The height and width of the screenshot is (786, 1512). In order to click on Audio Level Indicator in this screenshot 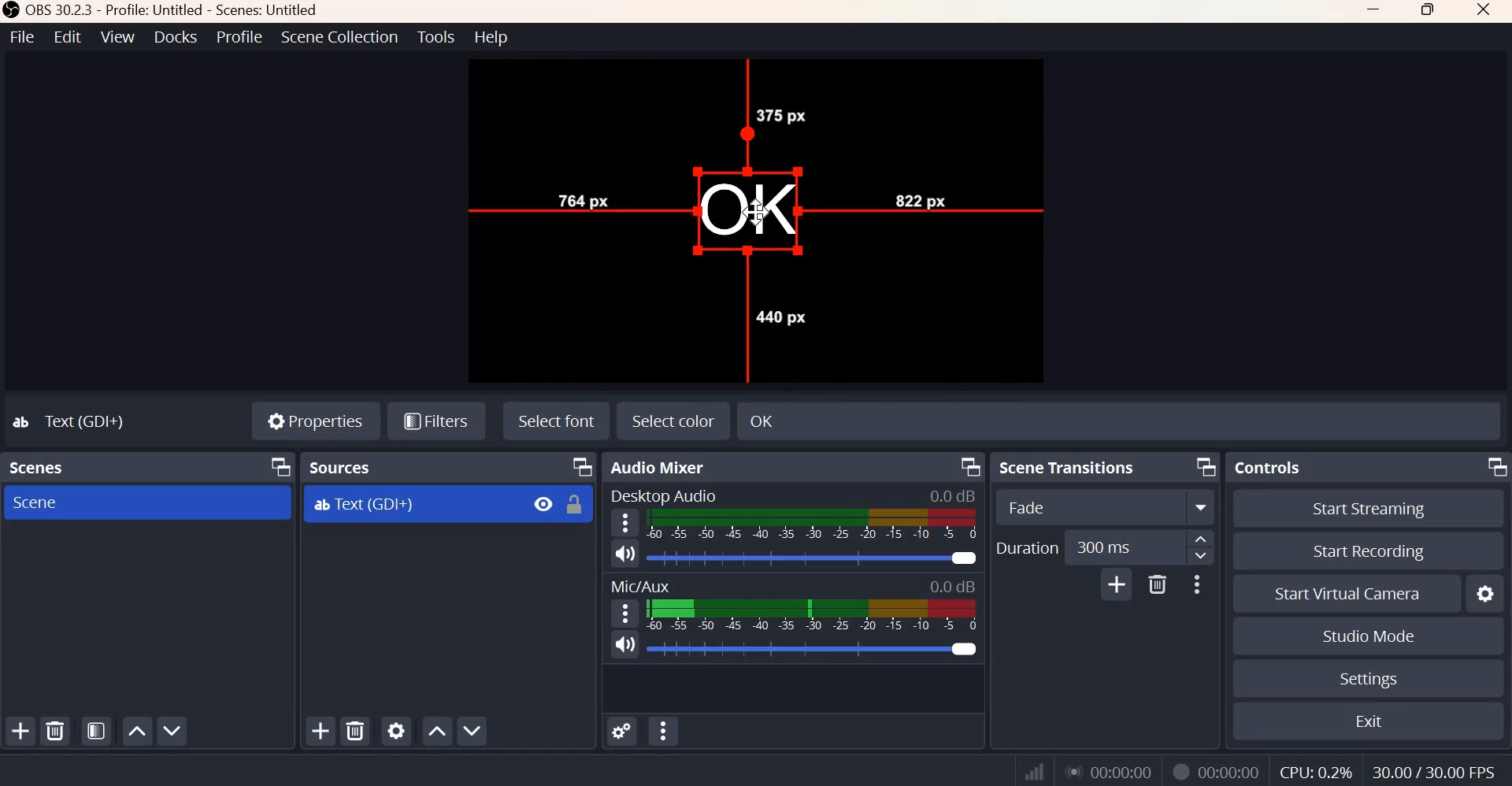, I will do `click(950, 586)`.